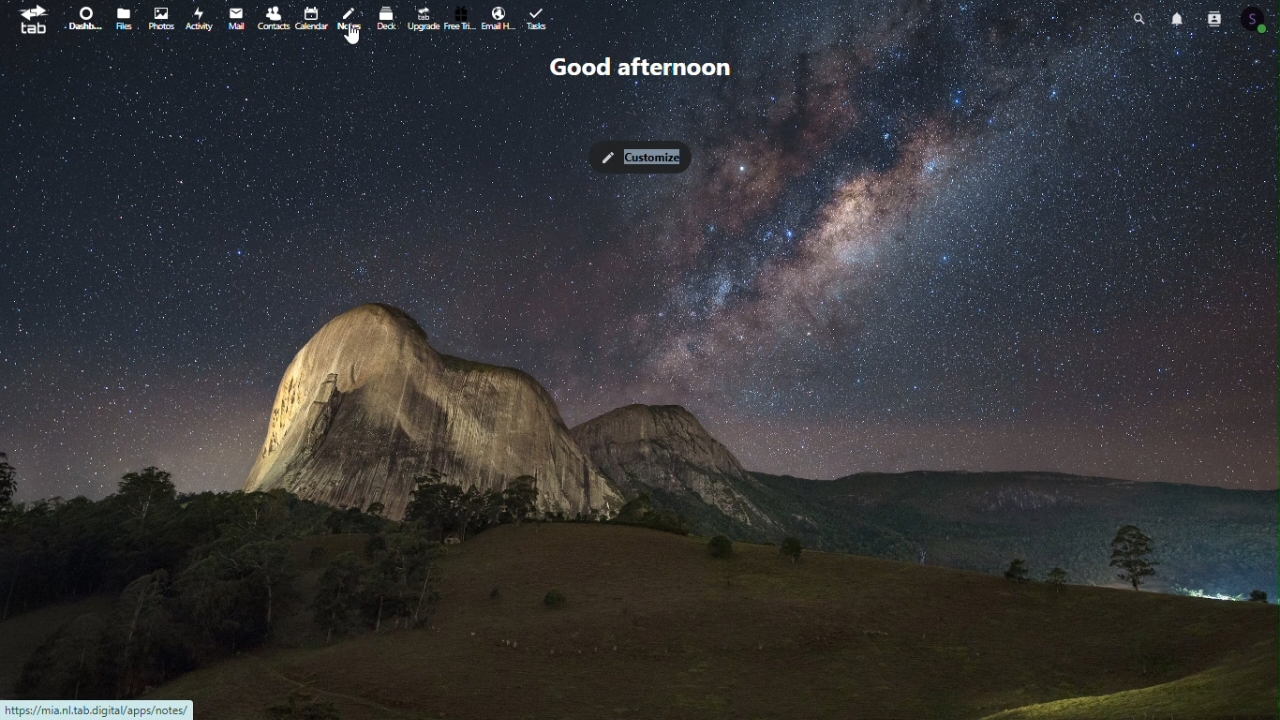 This screenshot has width=1280, height=720. I want to click on URL, so click(104, 708).